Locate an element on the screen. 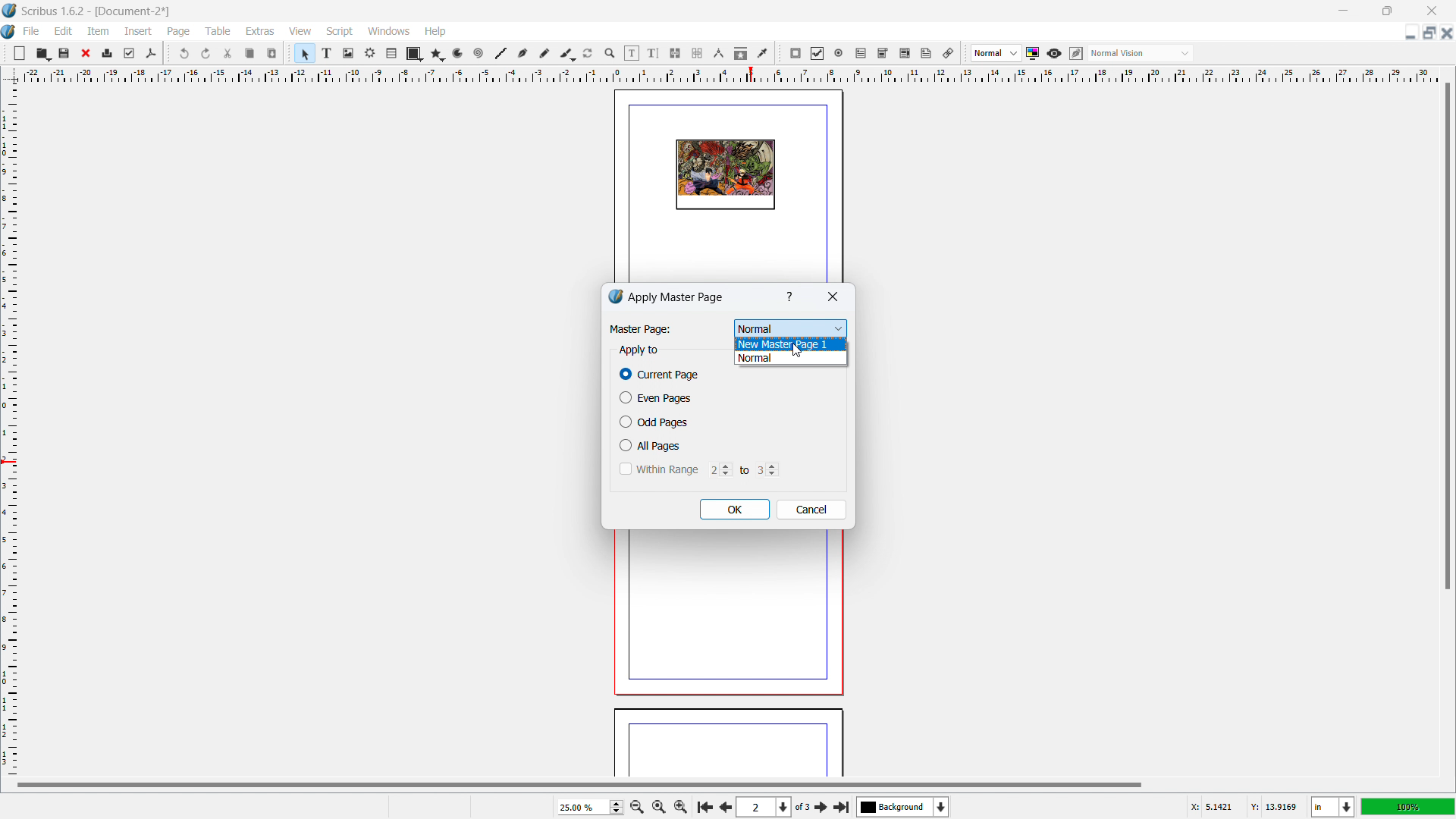  to is located at coordinates (742, 469).